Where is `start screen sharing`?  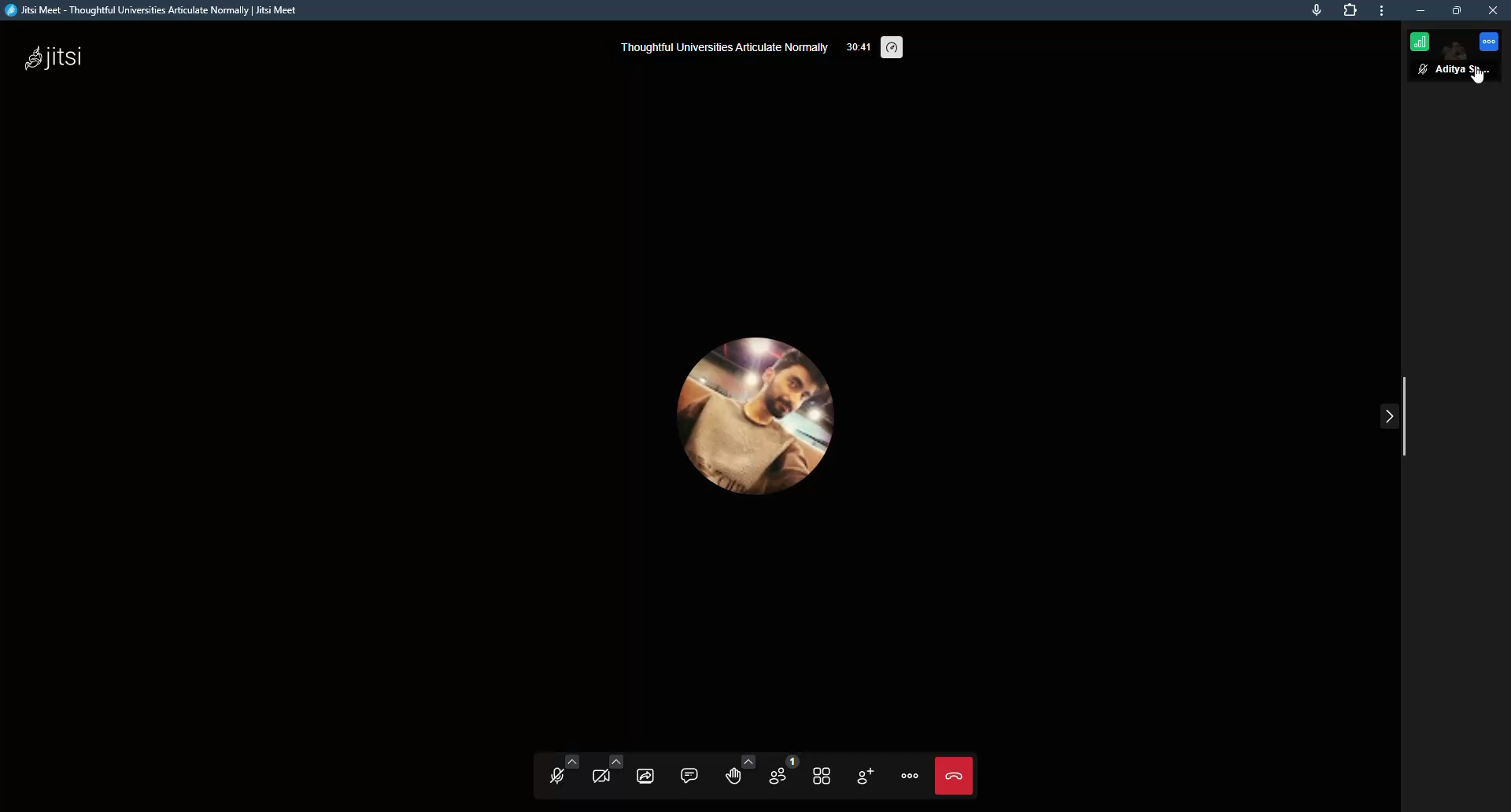 start screen sharing is located at coordinates (648, 773).